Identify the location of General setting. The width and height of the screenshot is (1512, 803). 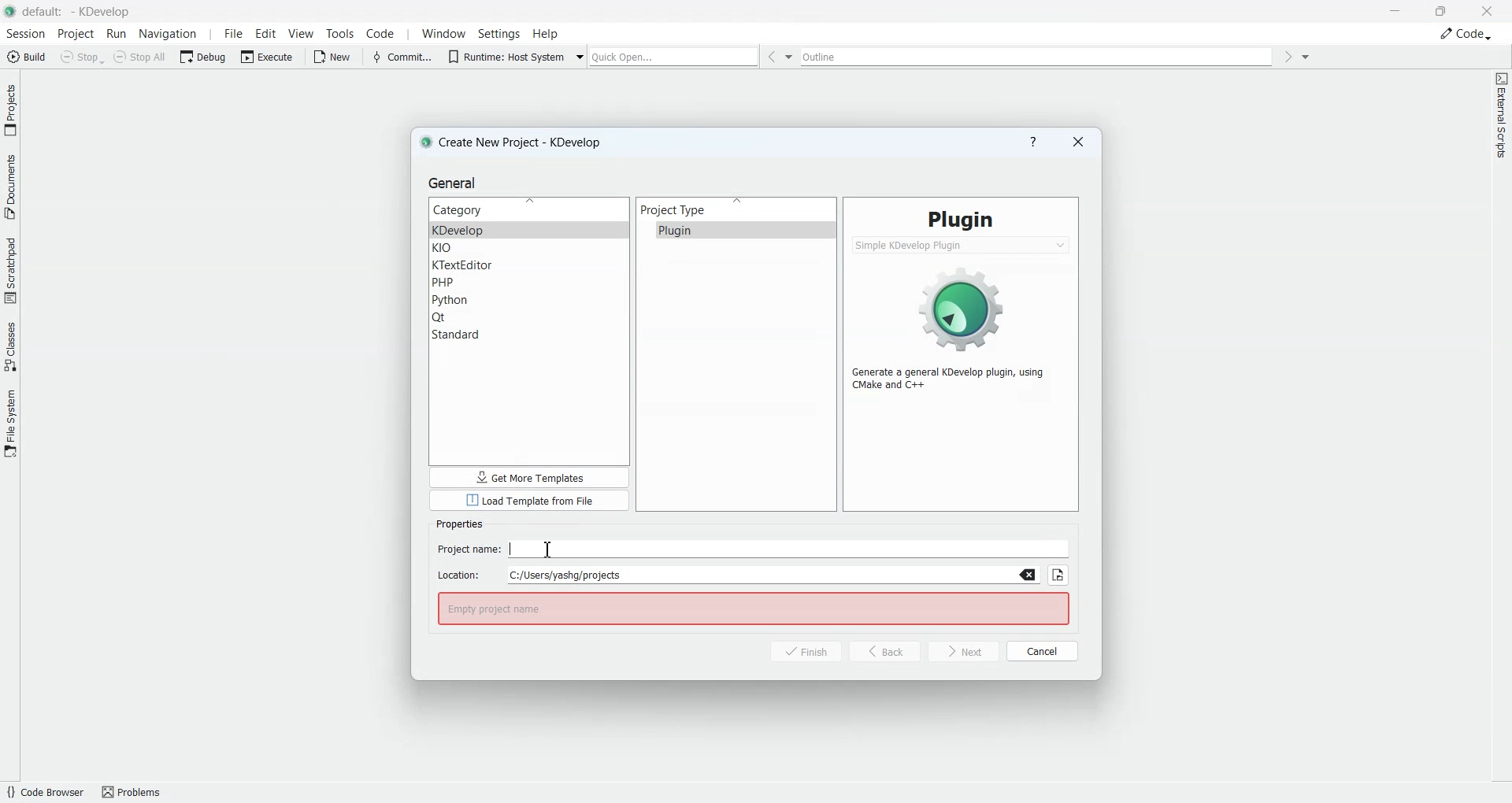
(455, 183).